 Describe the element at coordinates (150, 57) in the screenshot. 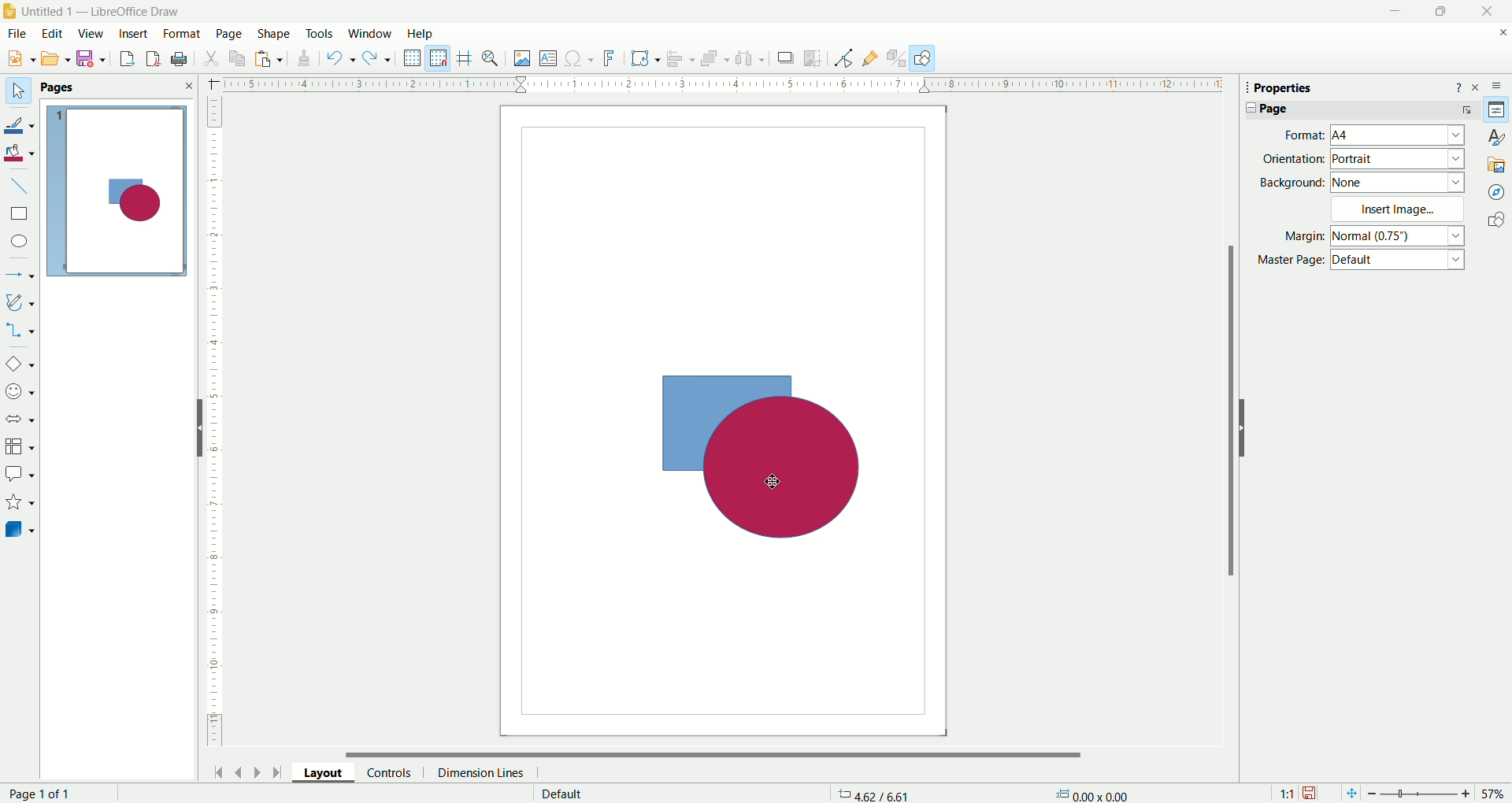

I see `export as PDF` at that location.